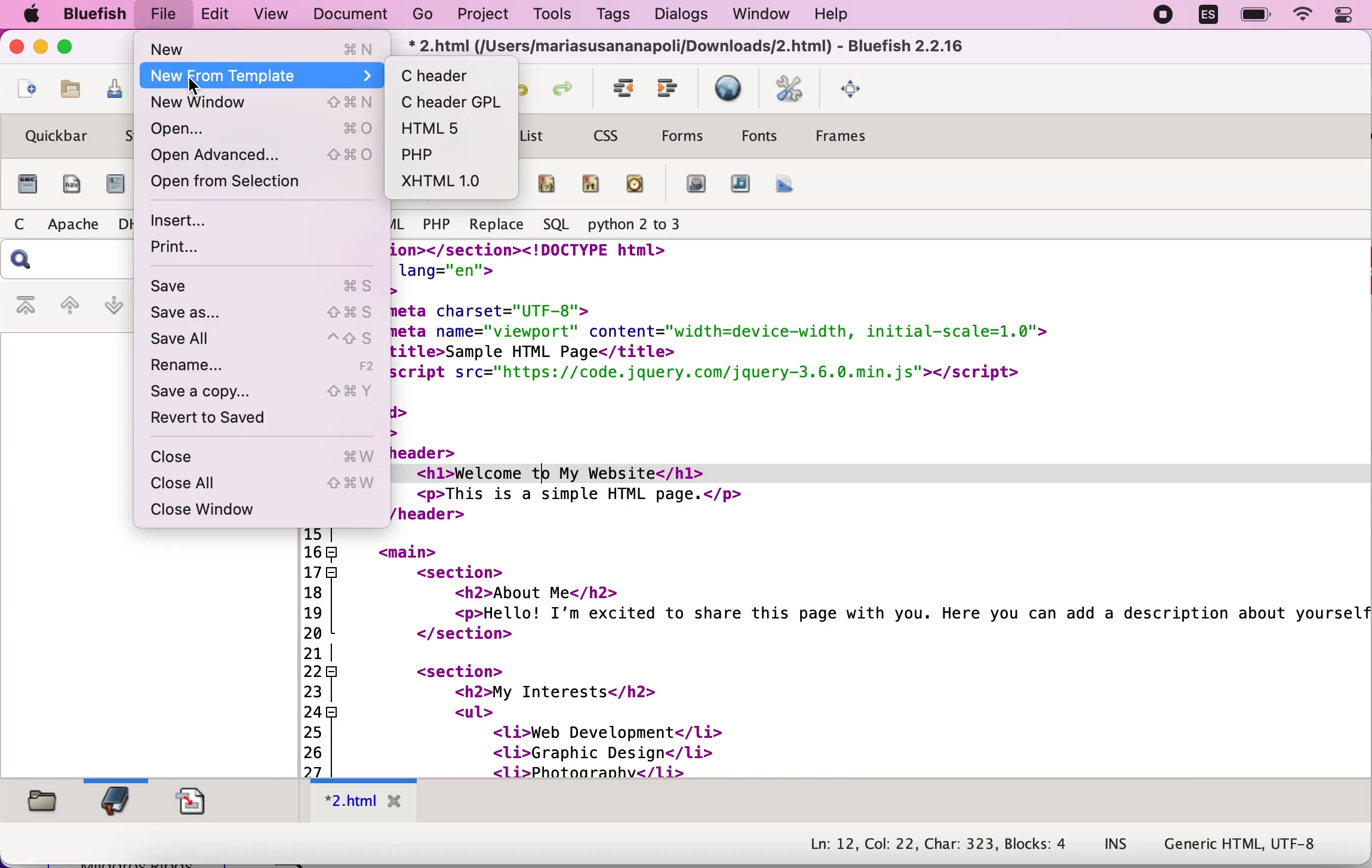 The height and width of the screenshot is (868, 1372). What do you see at coordinates (564, 87) in the screenshot?
I see `redo` at bounding box center [564, 87].